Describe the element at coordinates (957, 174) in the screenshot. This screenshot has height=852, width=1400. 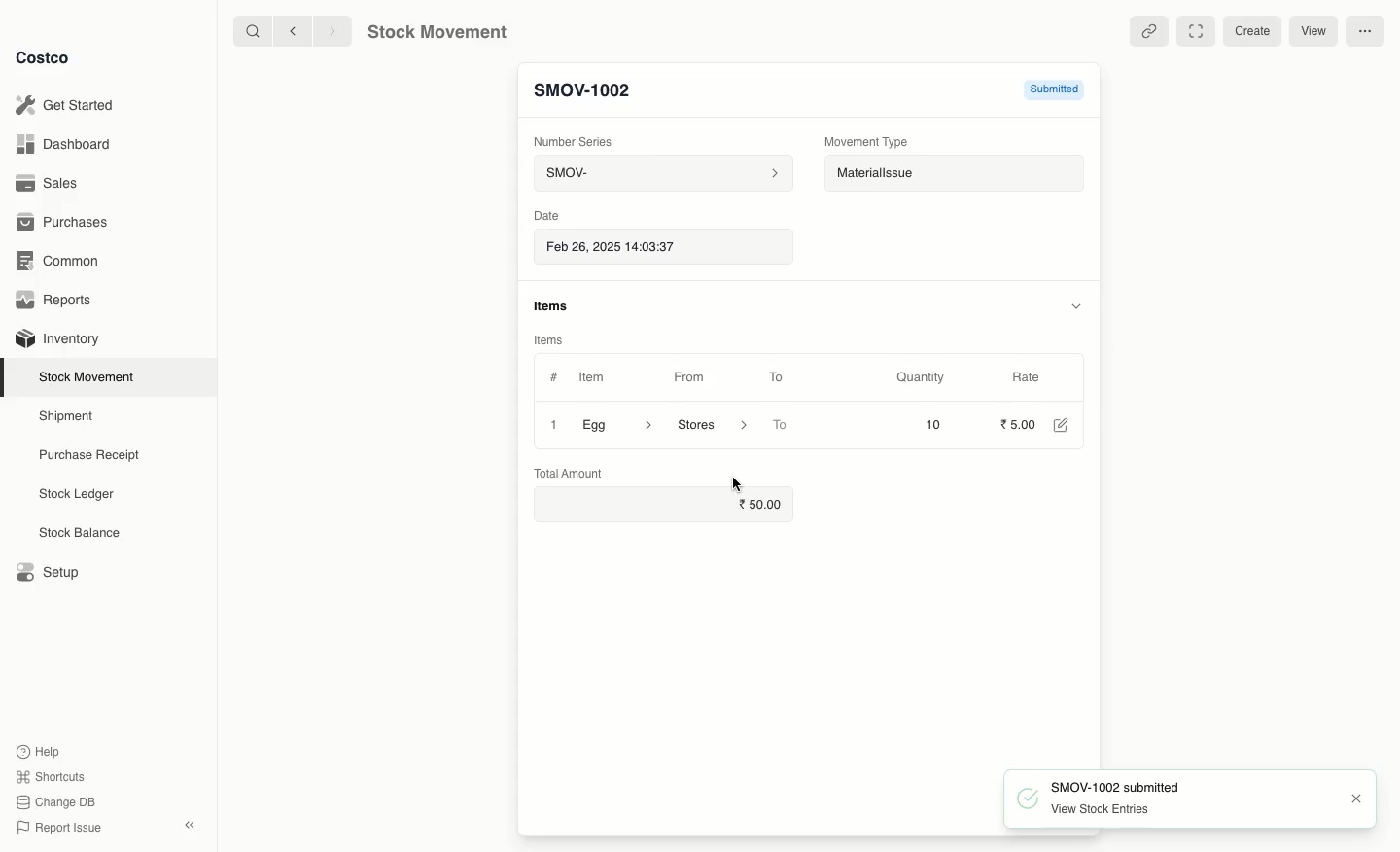
I see `Material Issue` at that location.